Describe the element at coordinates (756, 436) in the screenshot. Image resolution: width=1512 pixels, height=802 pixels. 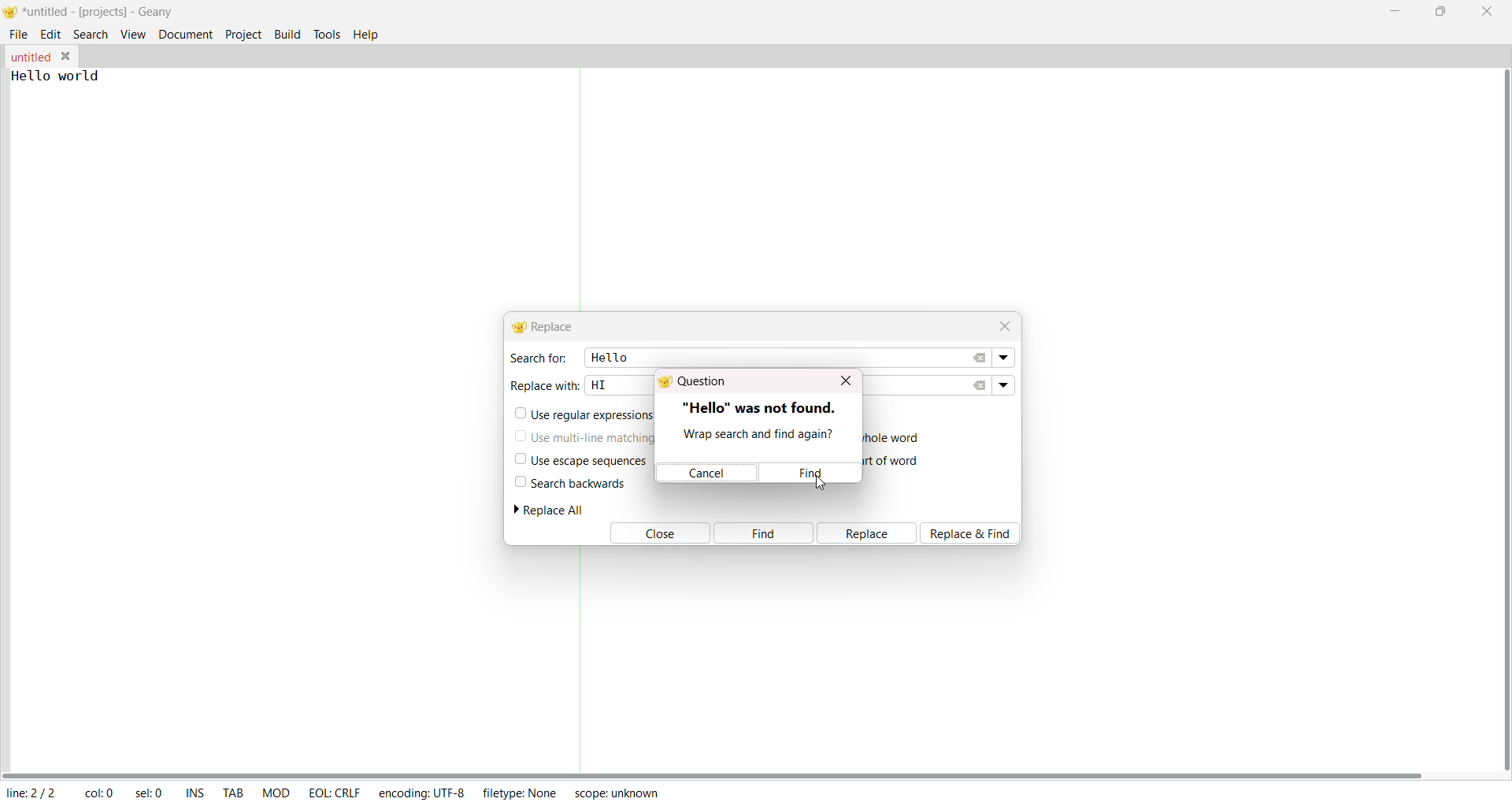
I see `Wrap search and find again.` at that location.